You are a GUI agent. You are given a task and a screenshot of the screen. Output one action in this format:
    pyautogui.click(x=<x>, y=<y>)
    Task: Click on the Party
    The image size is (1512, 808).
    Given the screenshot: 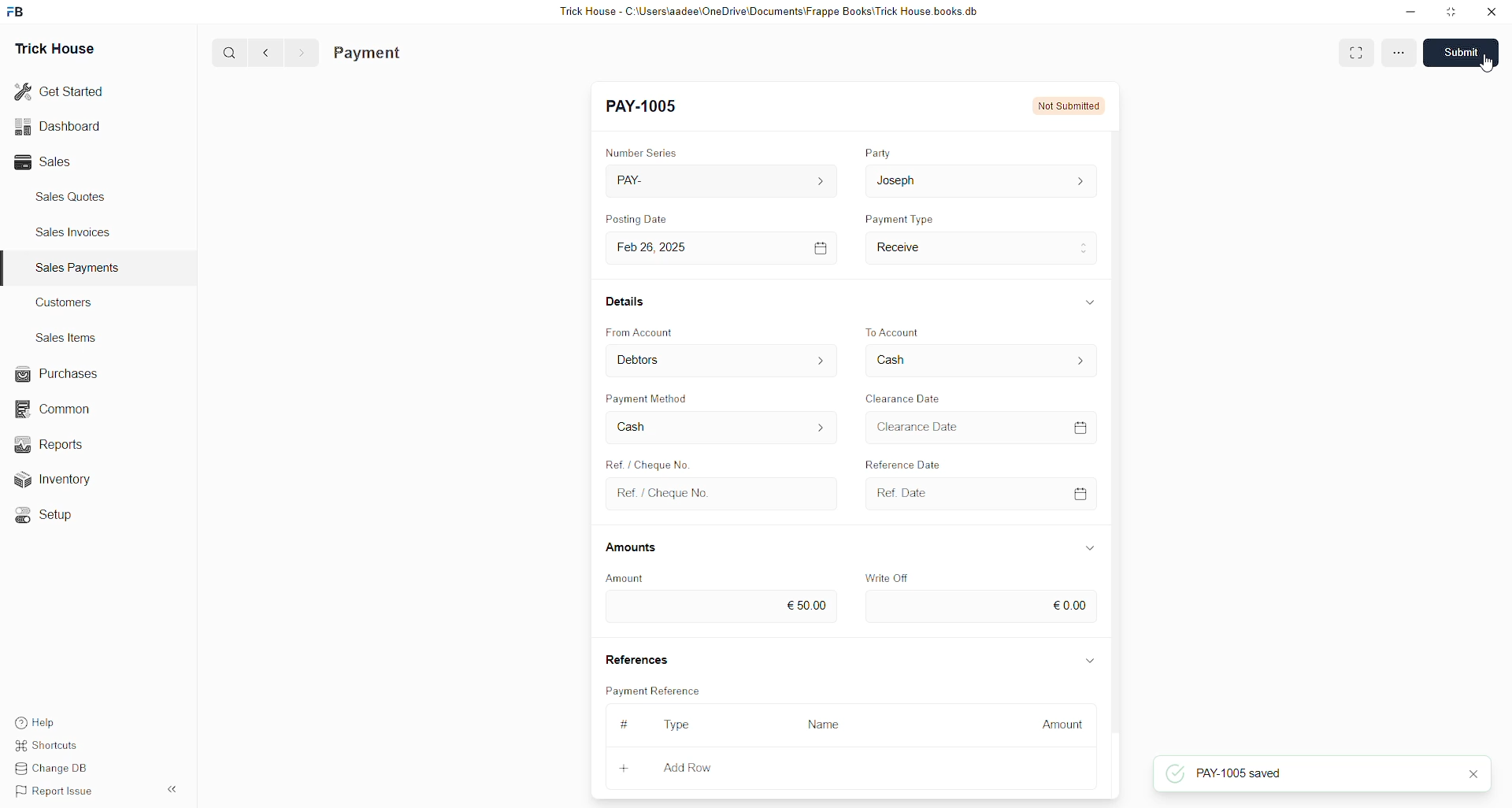 What is the action you would take?
    pyautogui.click(x=878, y=152)
    